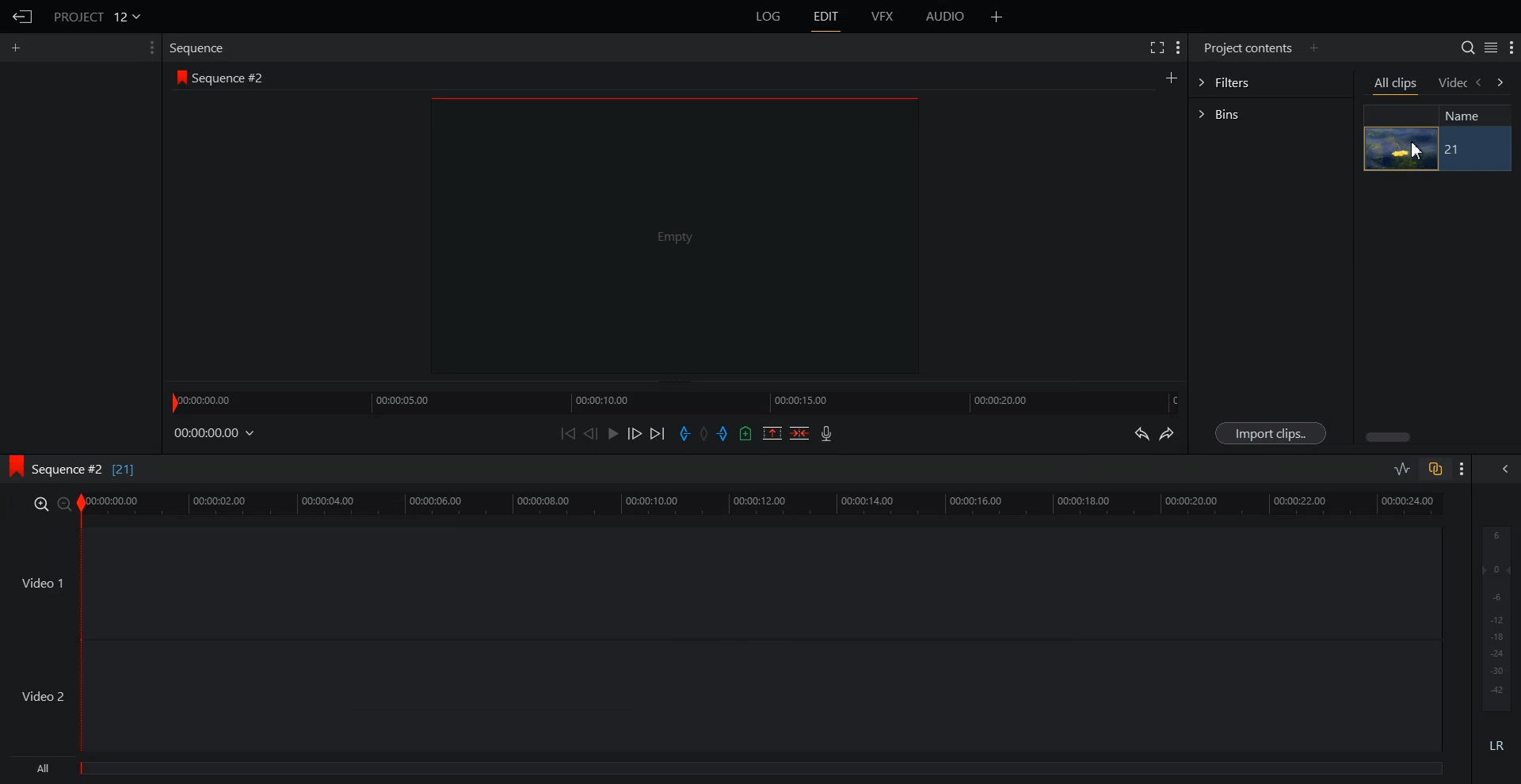  What do you see at coordinates (799, 432) in the screenshot?
I see `Delete` at bounding box center [799, 432].